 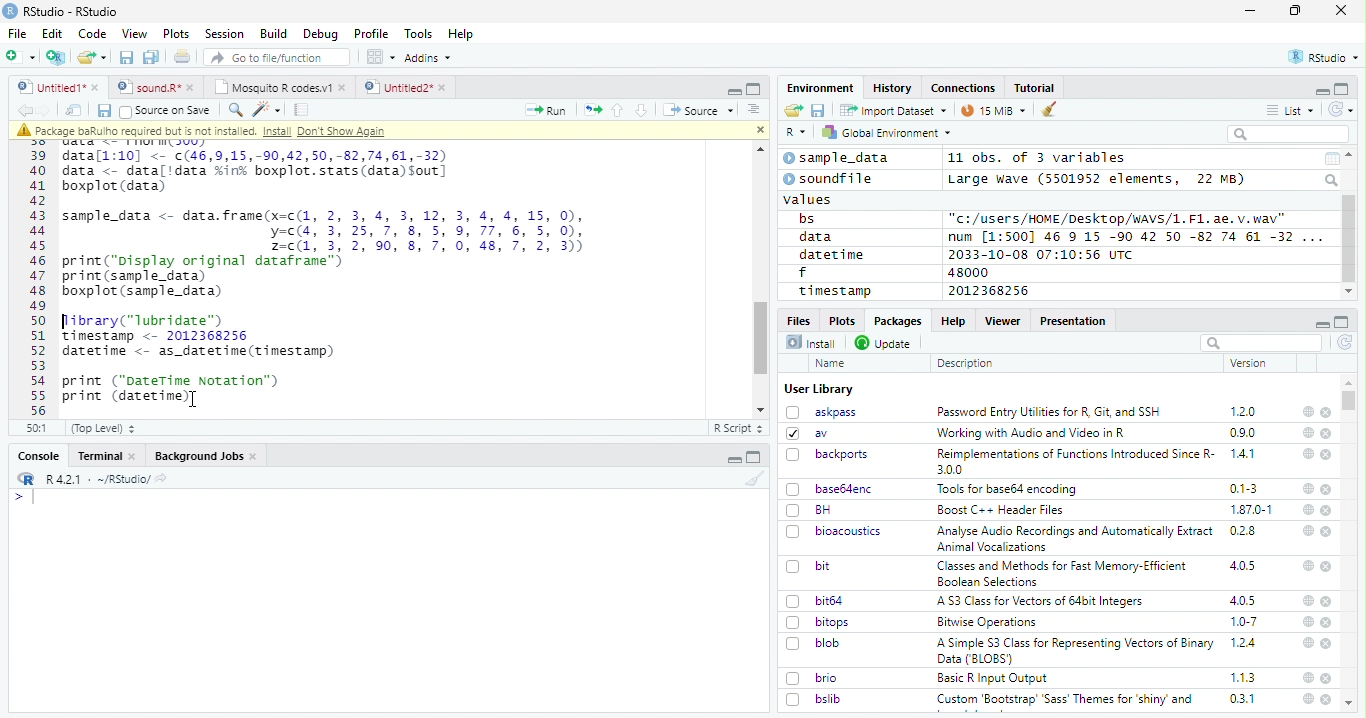 What do you see at coordinates (1308, 489) in the screenshot?
I see `help` at bounding box center [1308, 489].